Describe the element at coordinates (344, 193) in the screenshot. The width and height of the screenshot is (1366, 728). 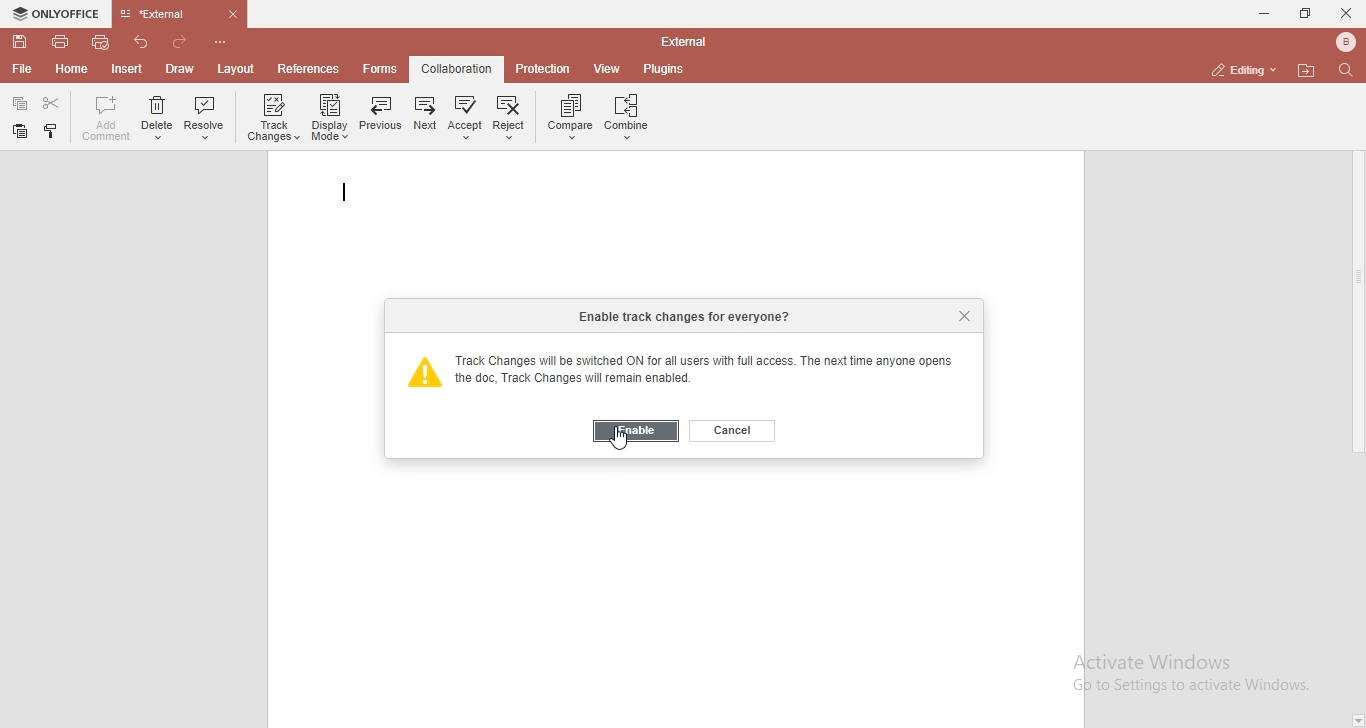
I see `text cursor` at that location.